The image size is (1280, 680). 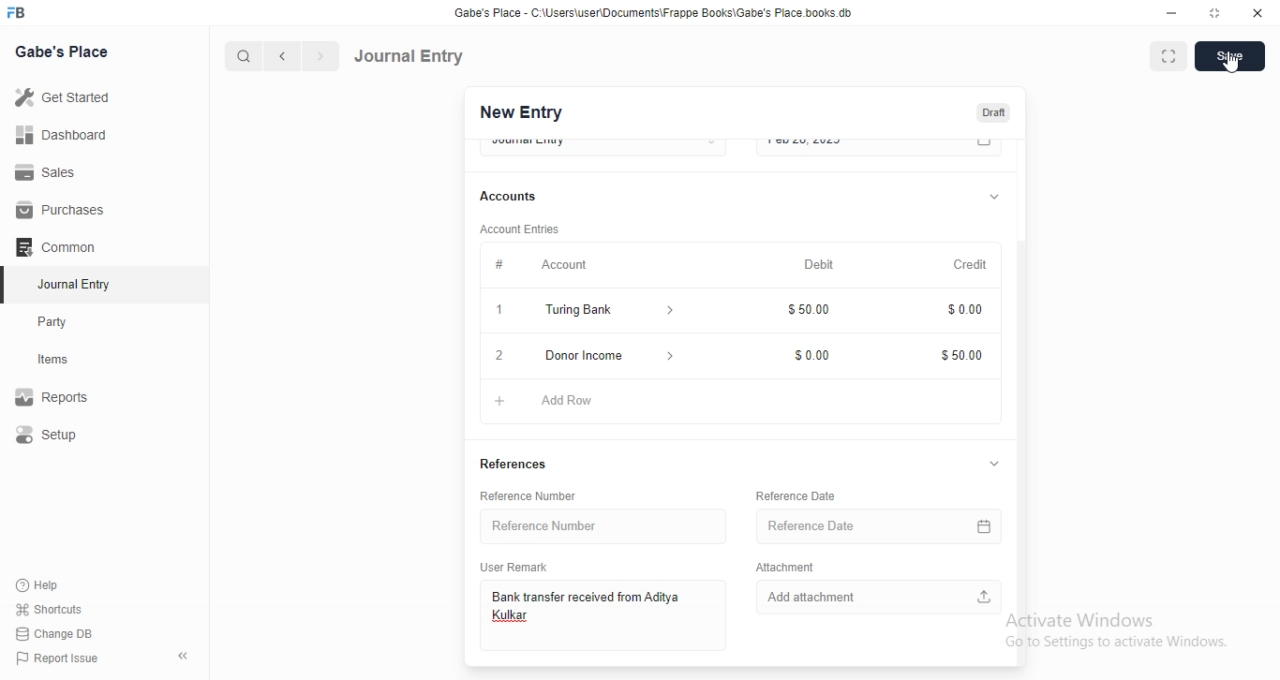 I want to click on calender, so click(x=985, y=147).